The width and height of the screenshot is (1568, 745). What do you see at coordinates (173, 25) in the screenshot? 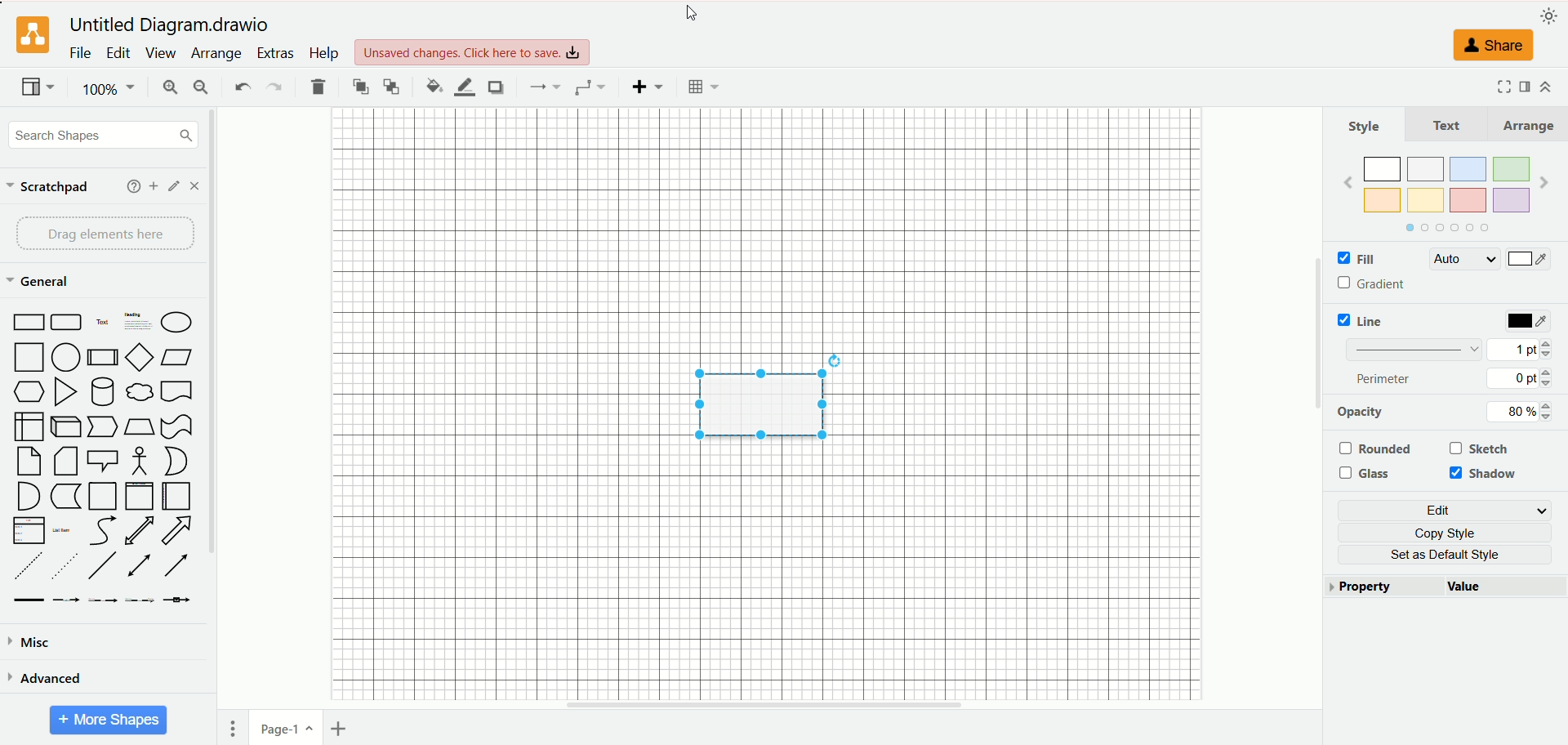
I see `title` at bounding box center [173, 25].